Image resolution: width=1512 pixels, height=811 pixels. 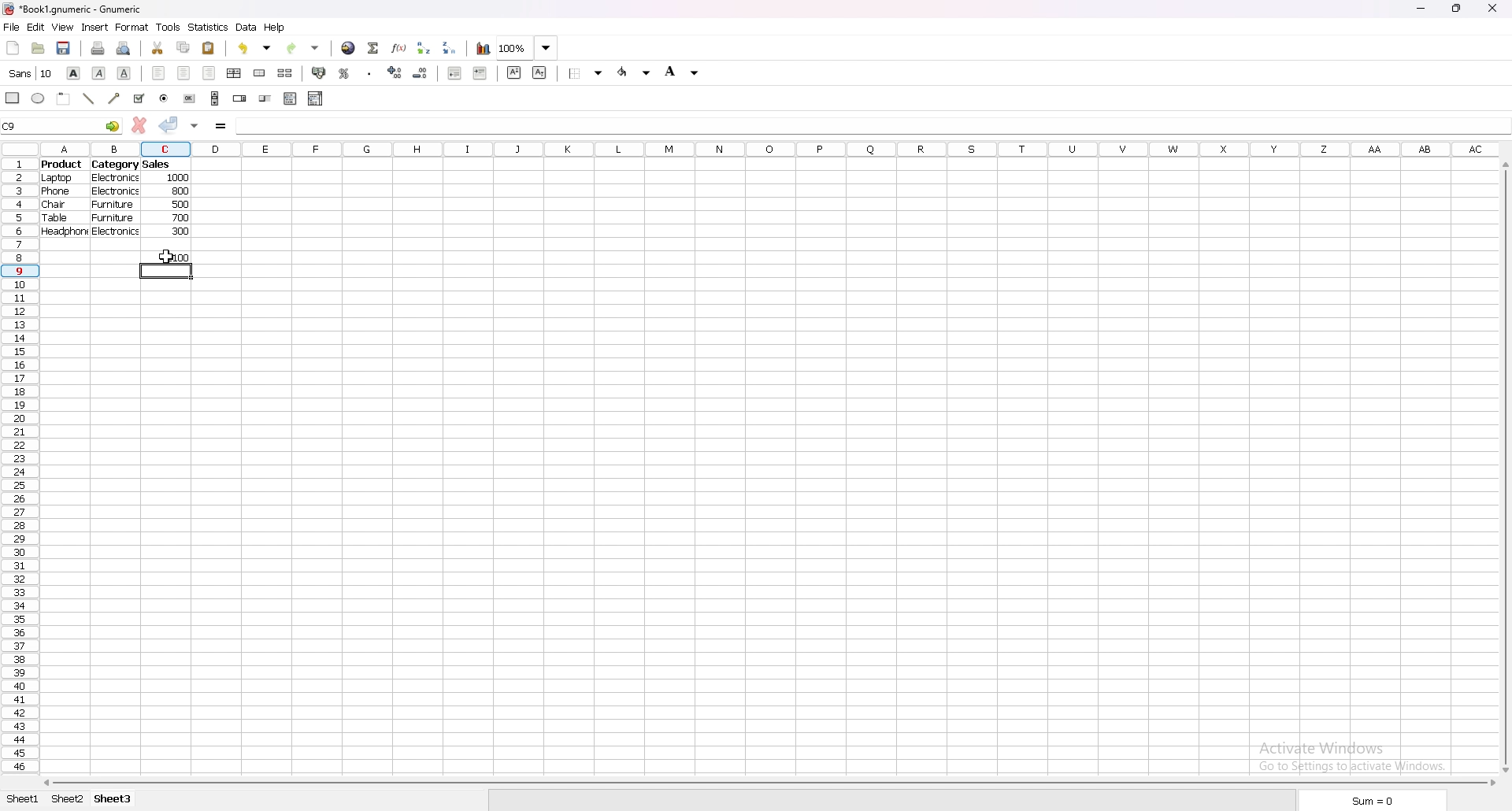 What do you see at coordinates (183, 73) in the screenshot?
I see `centre` at bounding box center [183, 73].